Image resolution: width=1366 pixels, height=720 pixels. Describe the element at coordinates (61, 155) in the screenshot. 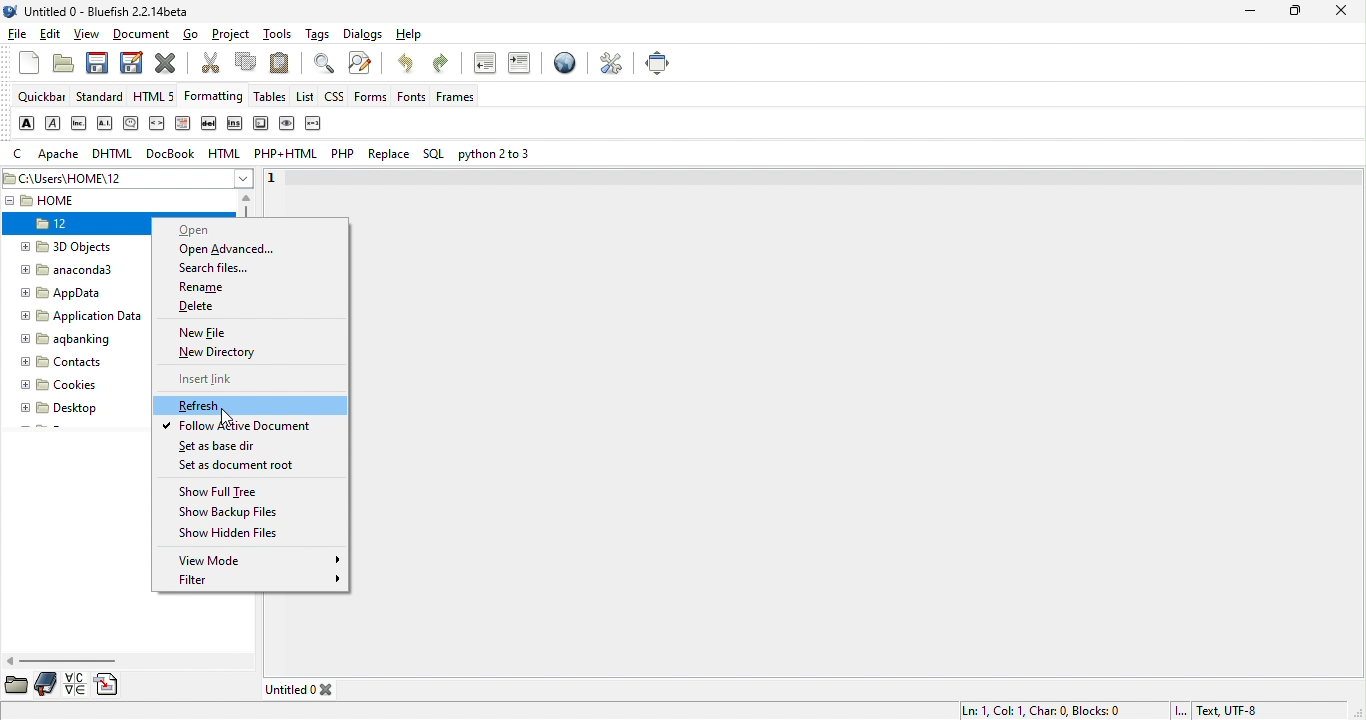

I see `apache` at that location.